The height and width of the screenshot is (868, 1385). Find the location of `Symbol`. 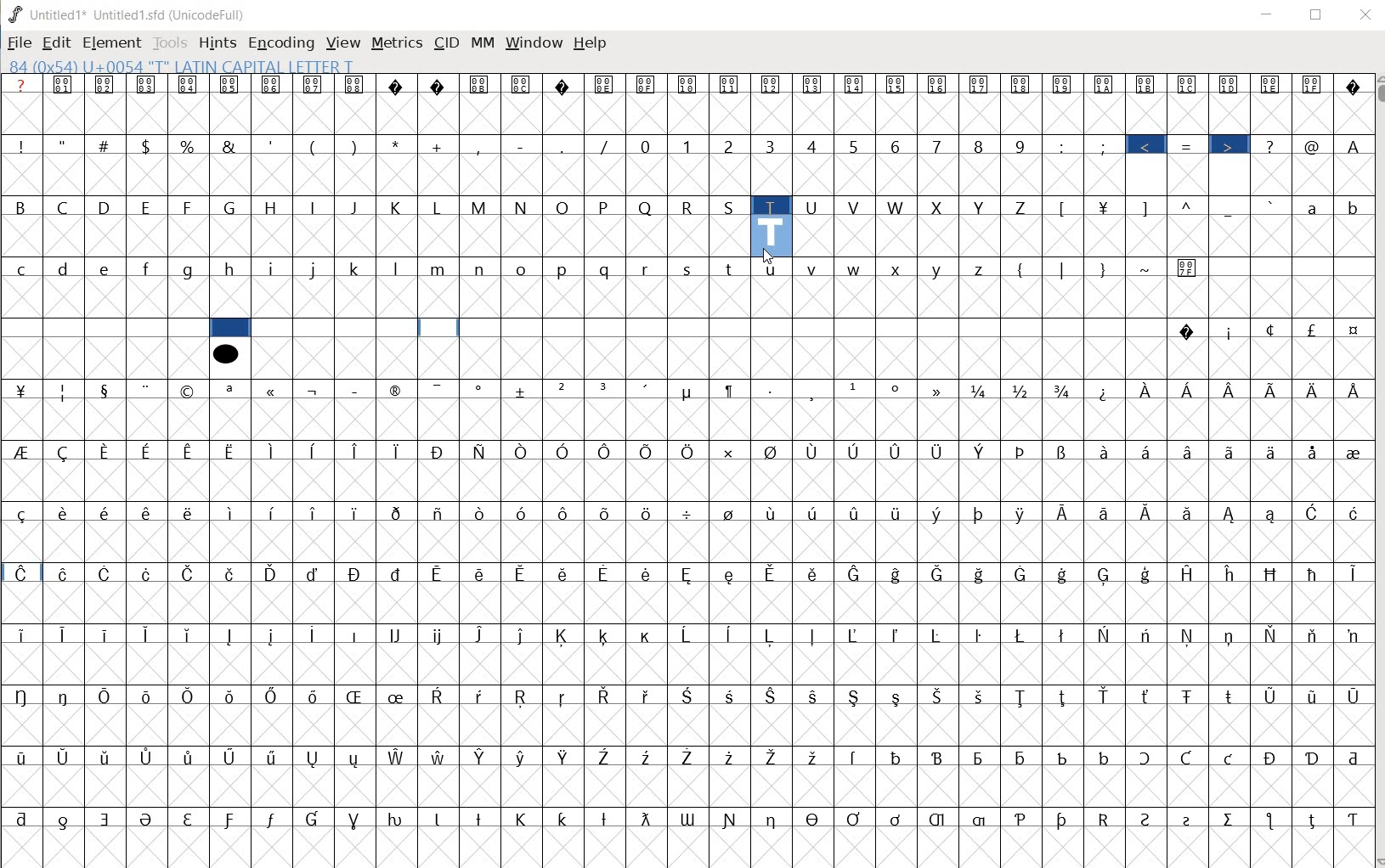

Symbol is located at coordinates (732, 757).